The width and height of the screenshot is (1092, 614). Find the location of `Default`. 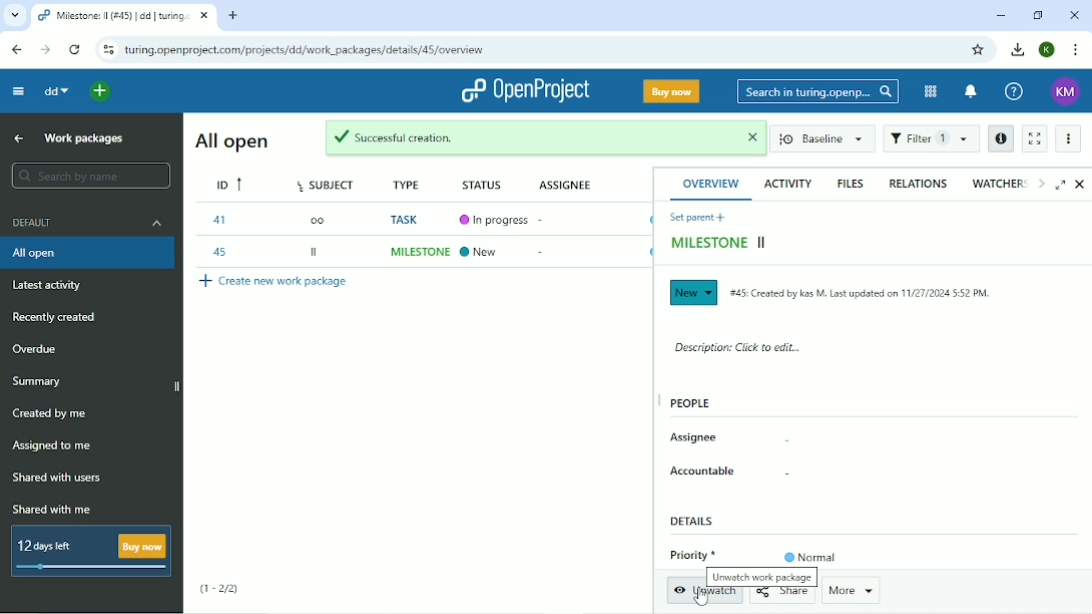

Default is located at coordinates (88, 222).